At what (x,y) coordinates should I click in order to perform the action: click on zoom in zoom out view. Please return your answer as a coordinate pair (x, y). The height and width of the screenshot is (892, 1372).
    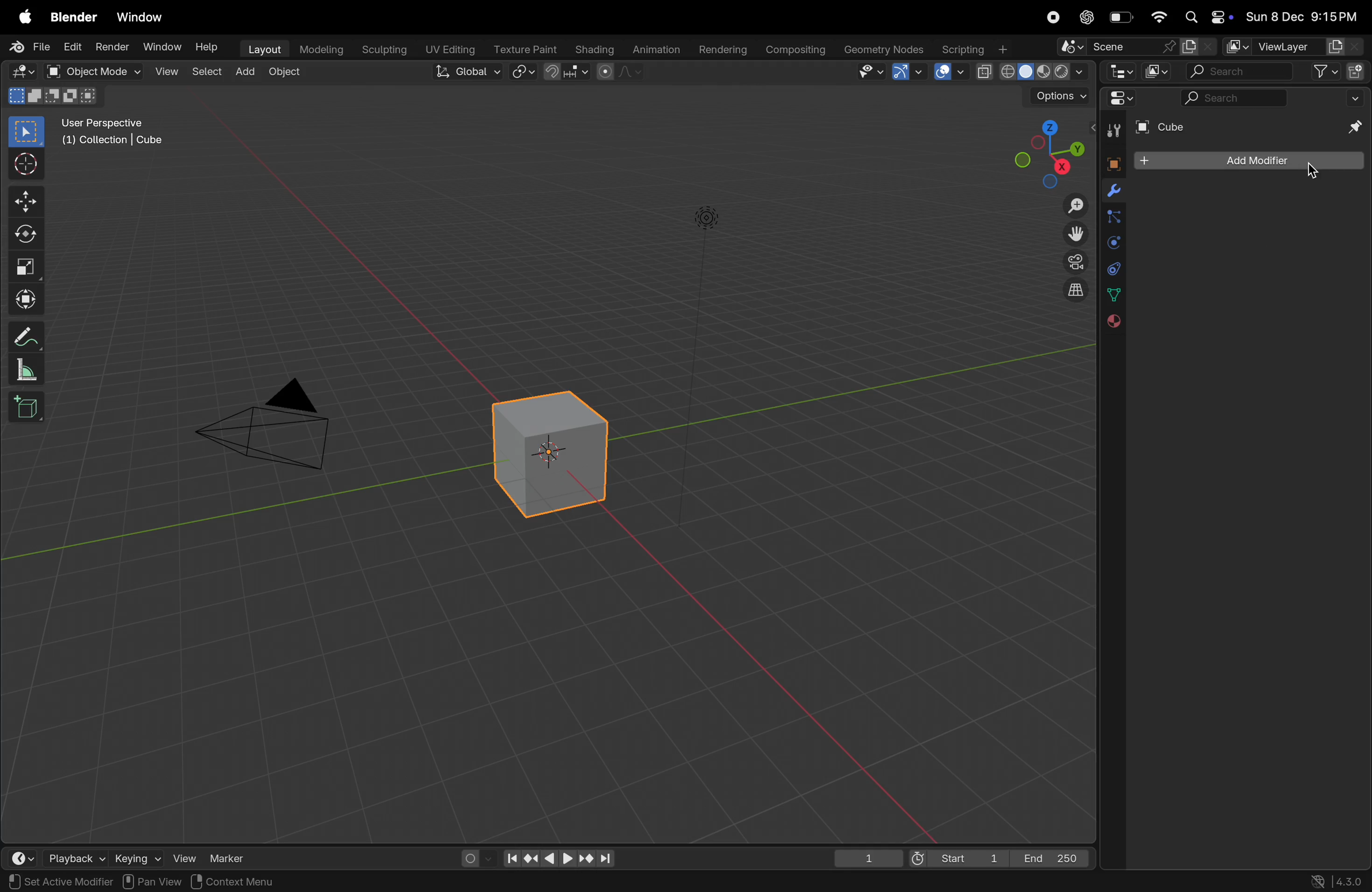
    Looking at the image, I should click on (1071, 206).